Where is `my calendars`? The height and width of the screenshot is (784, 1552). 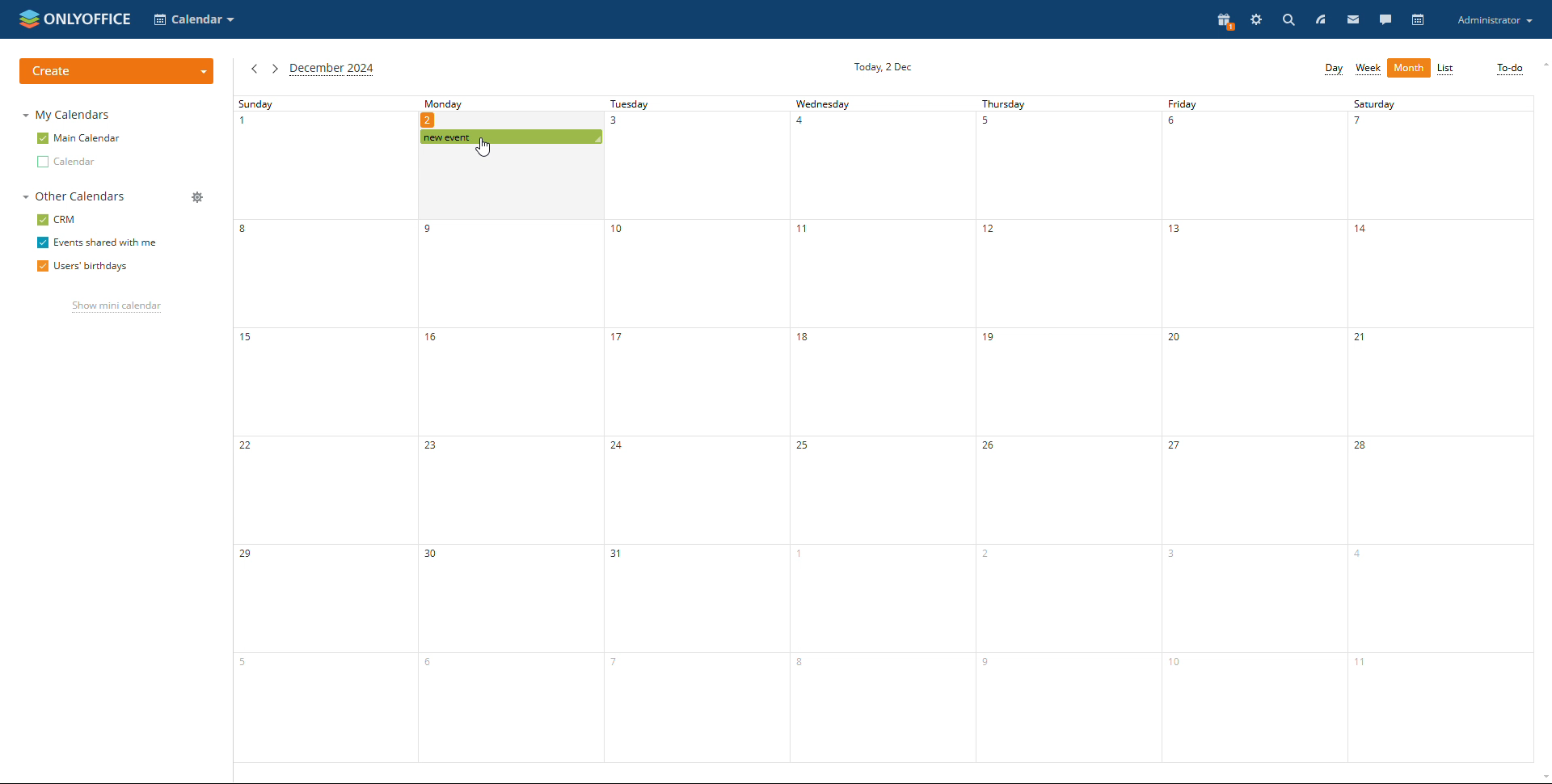
my calendars is located at coordinates (70, 115).